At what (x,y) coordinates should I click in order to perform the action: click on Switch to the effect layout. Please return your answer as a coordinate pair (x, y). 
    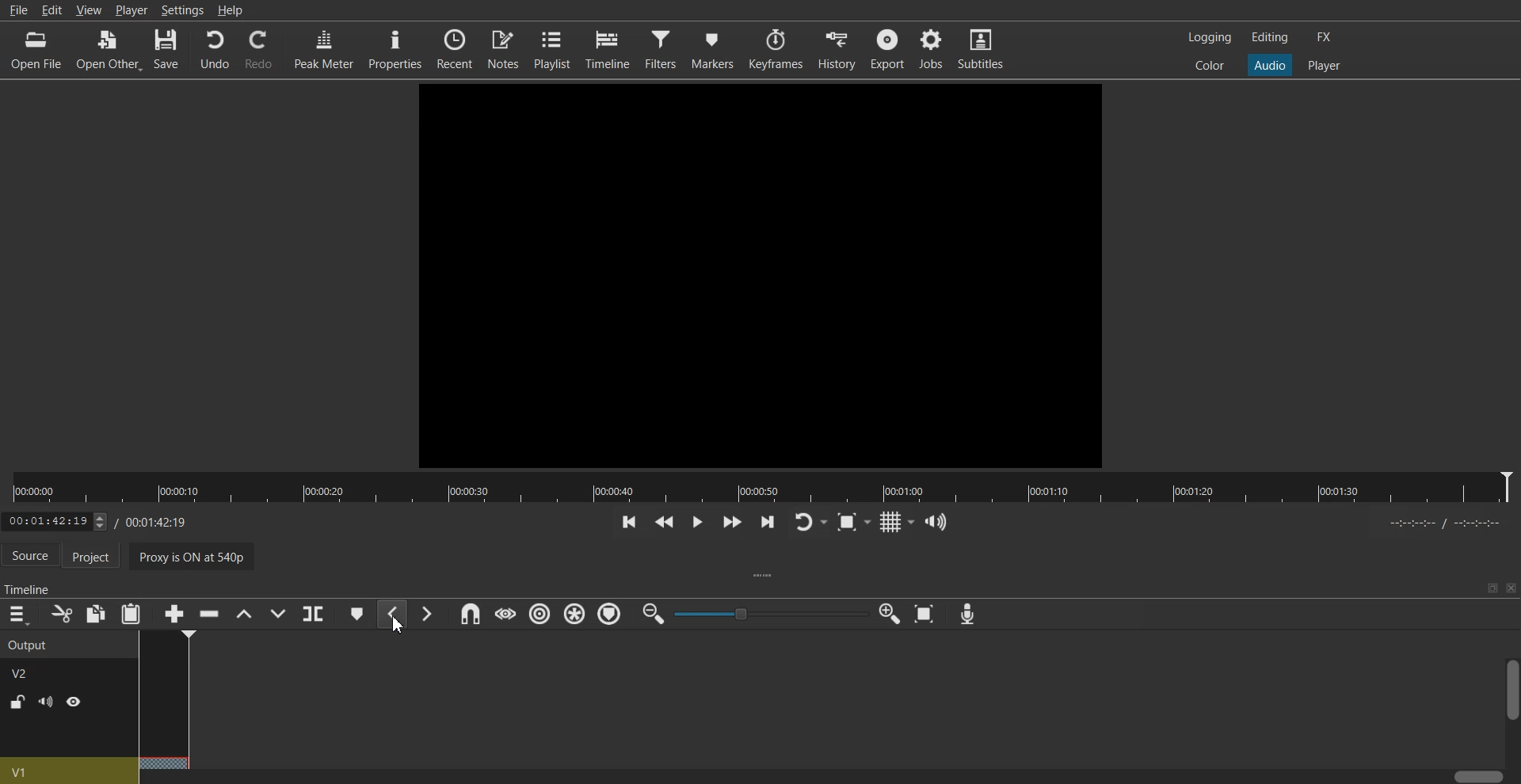
    Looking at the image, I should click on (1328, 37).